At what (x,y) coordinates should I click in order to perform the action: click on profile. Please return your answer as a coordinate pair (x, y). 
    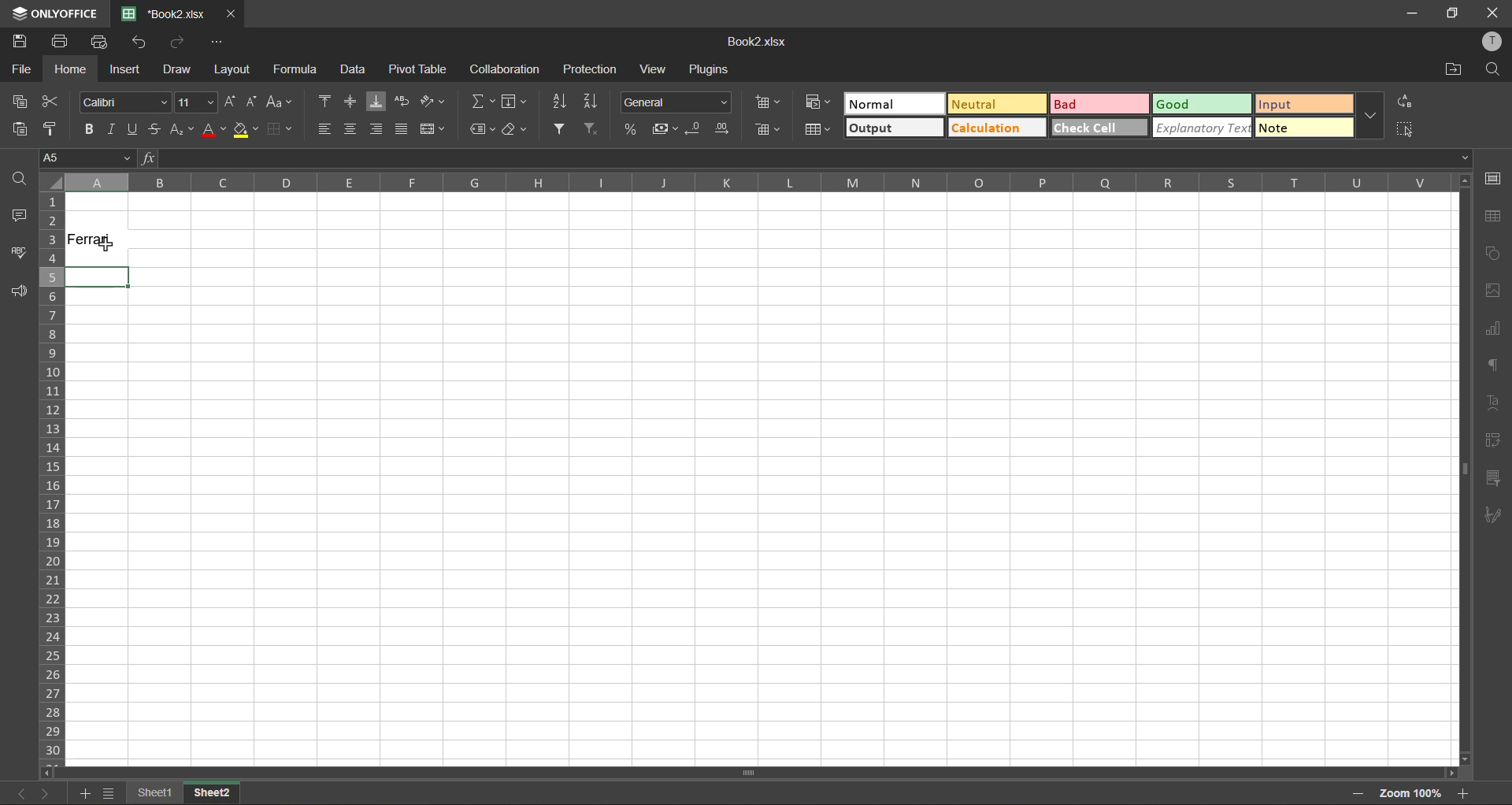
    Looking at the image, I should click on (1494, 41).